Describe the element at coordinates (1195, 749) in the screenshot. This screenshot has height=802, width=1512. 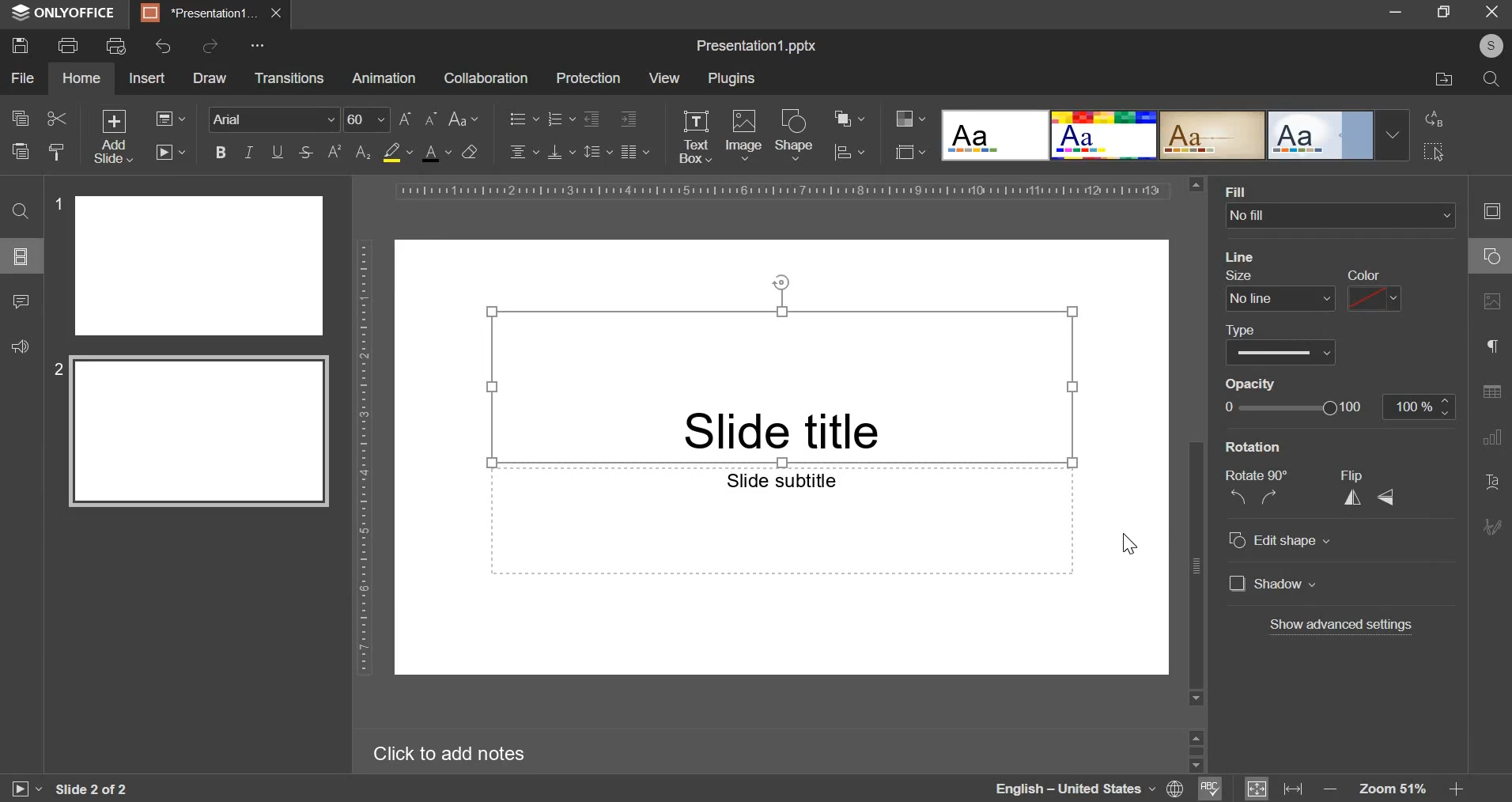
I see `slider` at that location.